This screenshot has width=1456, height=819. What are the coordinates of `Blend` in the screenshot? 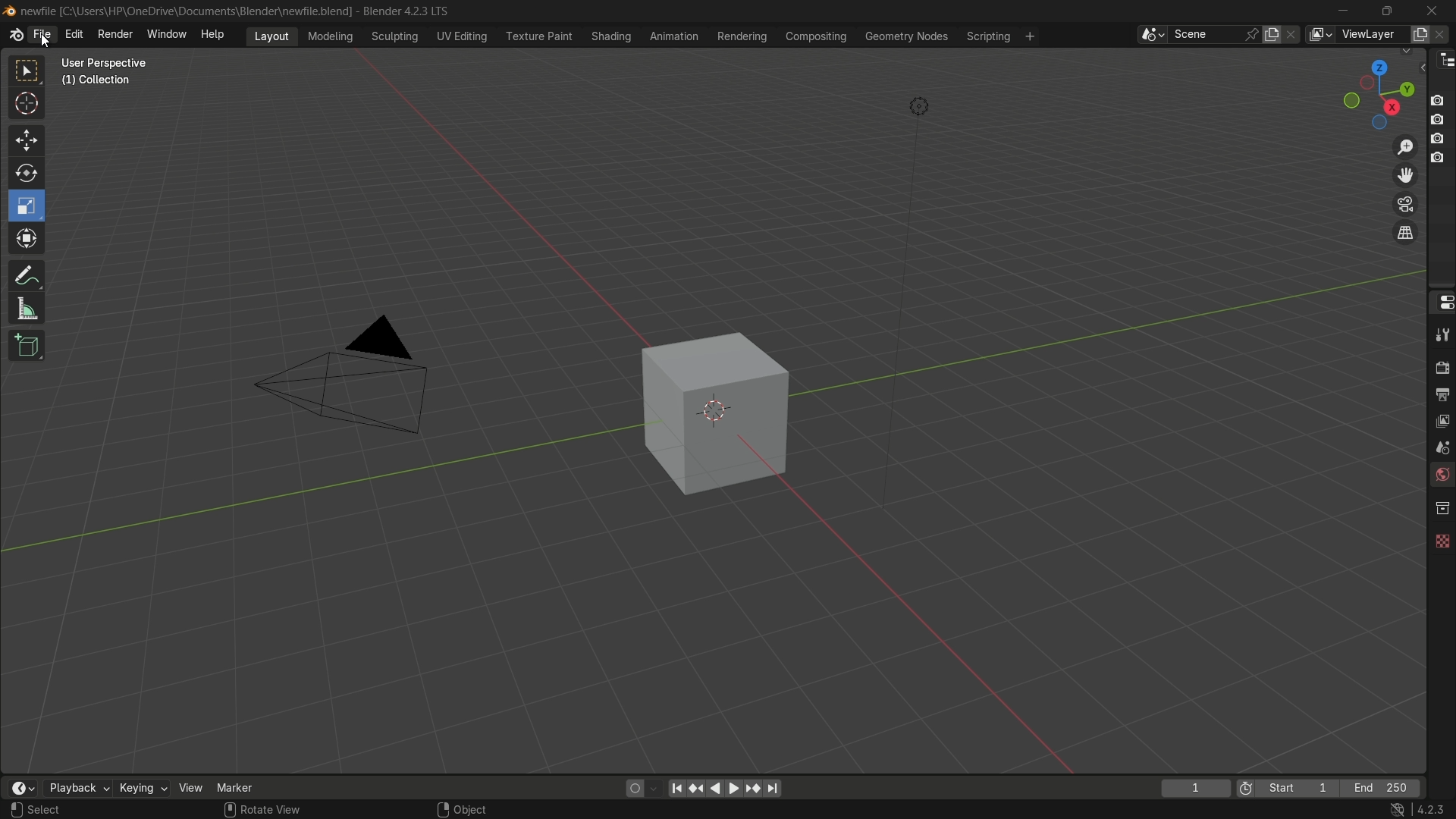 It's located at (9, 10).